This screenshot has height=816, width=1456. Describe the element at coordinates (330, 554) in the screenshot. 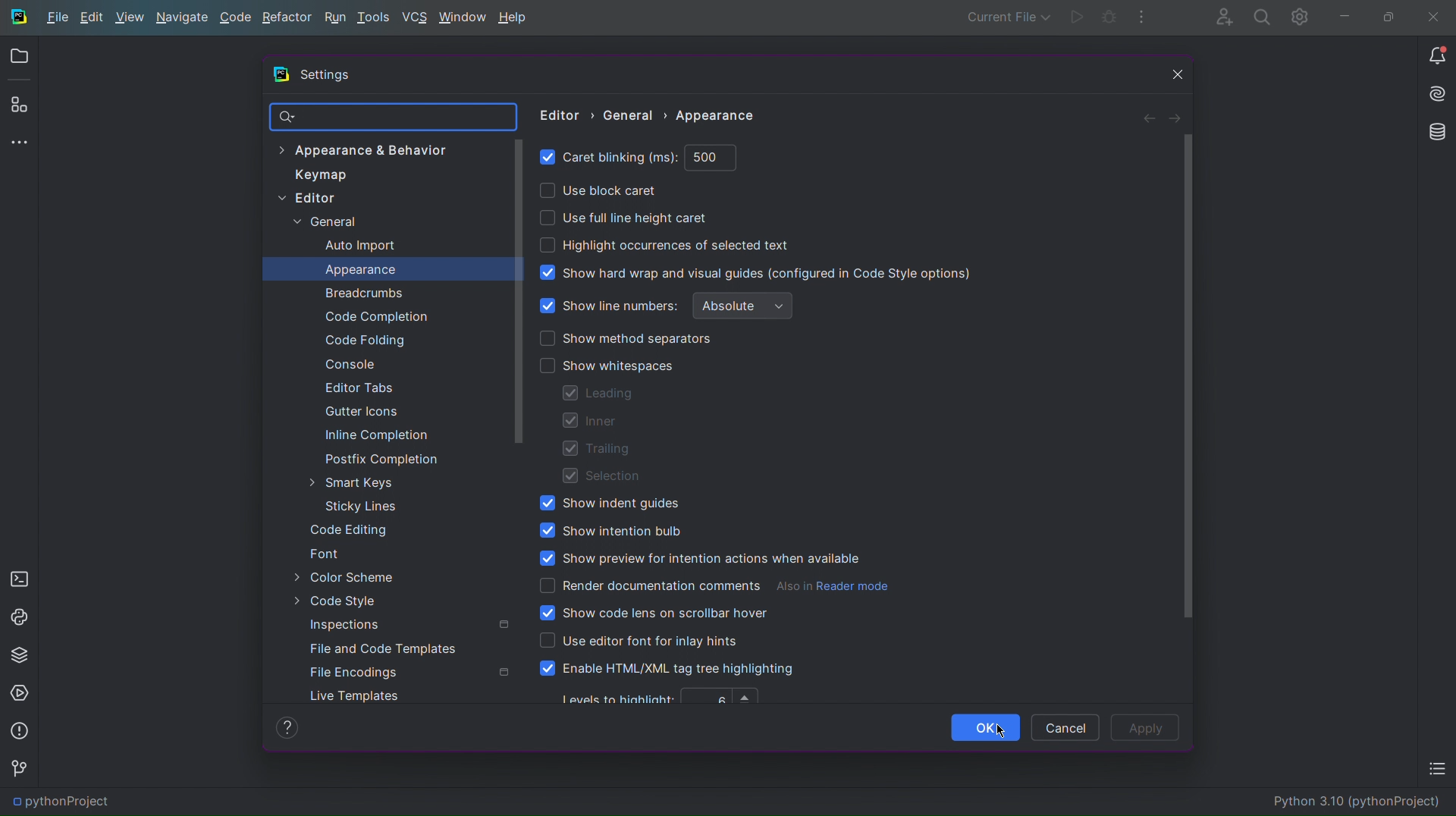

I see `Font` at that location.